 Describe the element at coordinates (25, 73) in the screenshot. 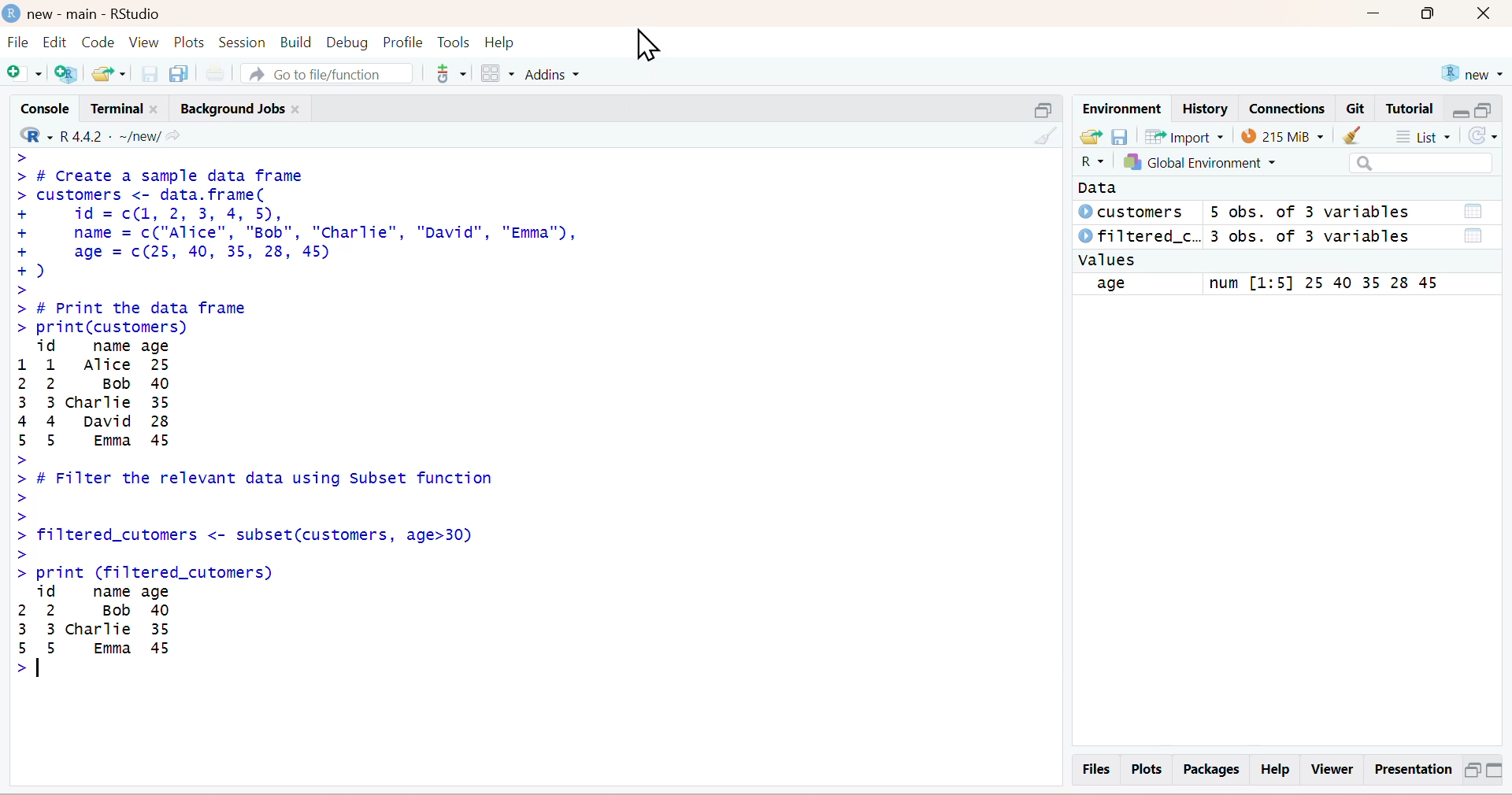

I see `New file` at that location.